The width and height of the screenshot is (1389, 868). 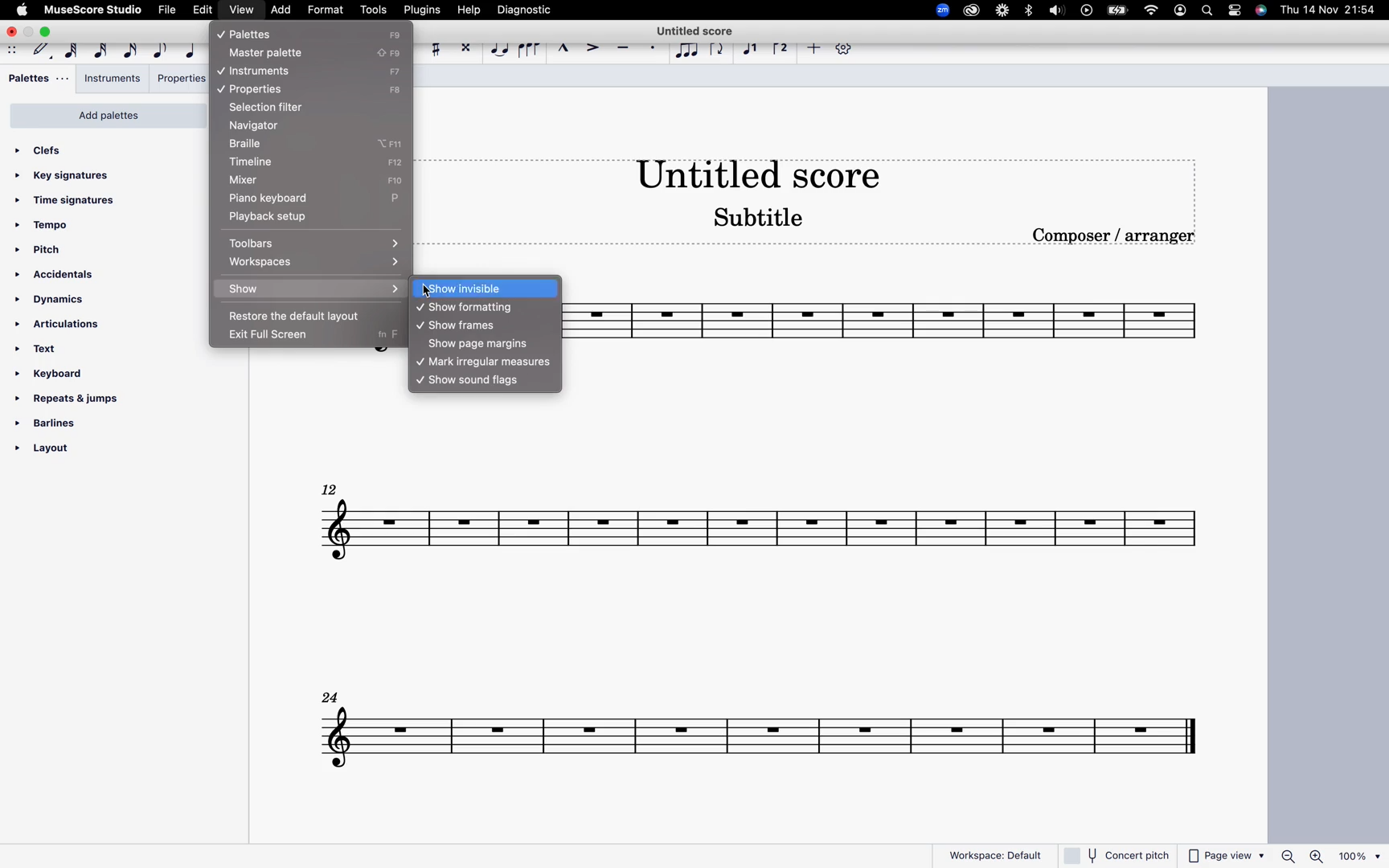 I want to click on show page margins, so click(x=488, y=343).